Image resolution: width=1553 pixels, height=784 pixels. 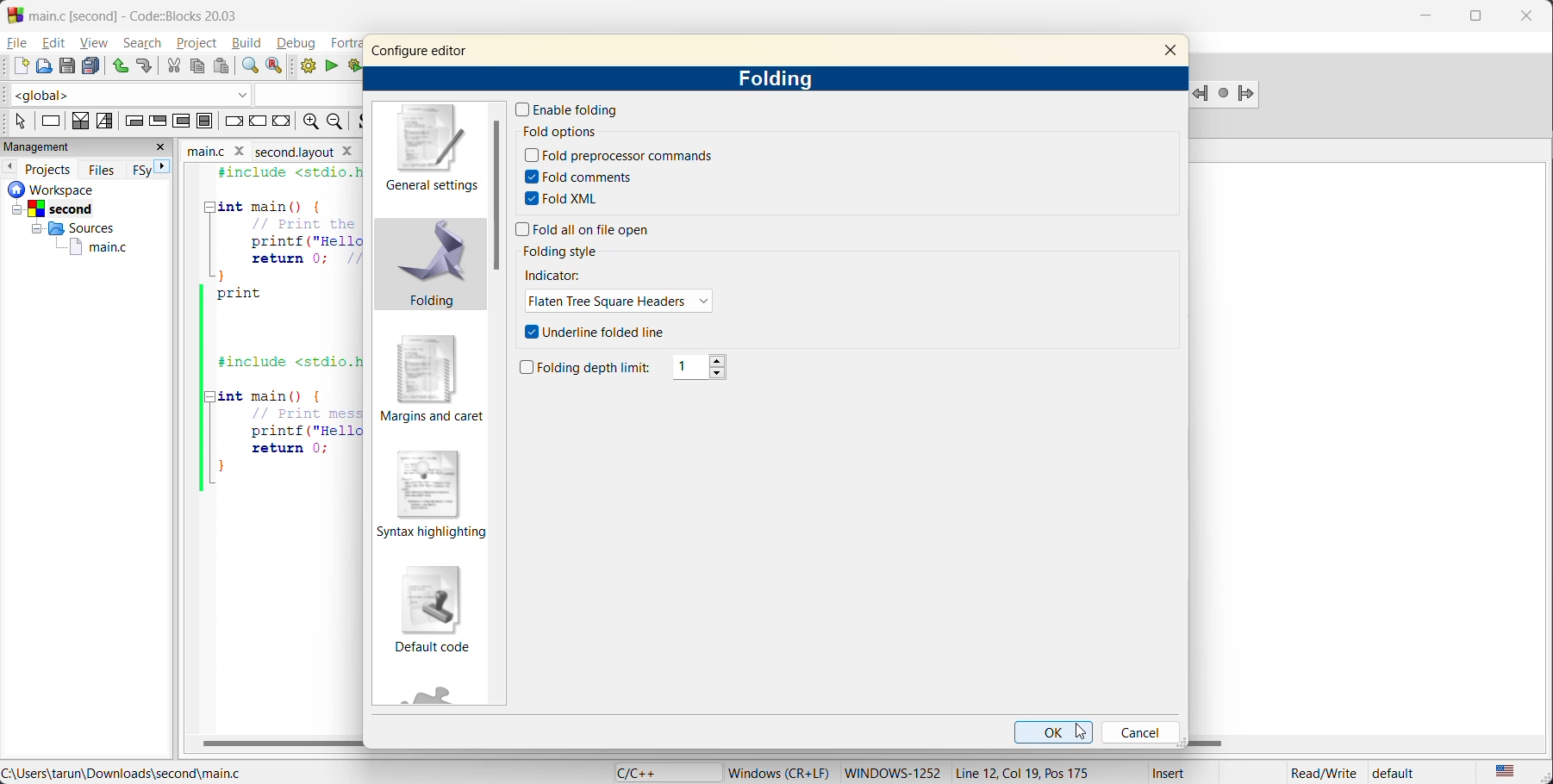 I want to click on code completion compiler, so click(x=178, y=92).